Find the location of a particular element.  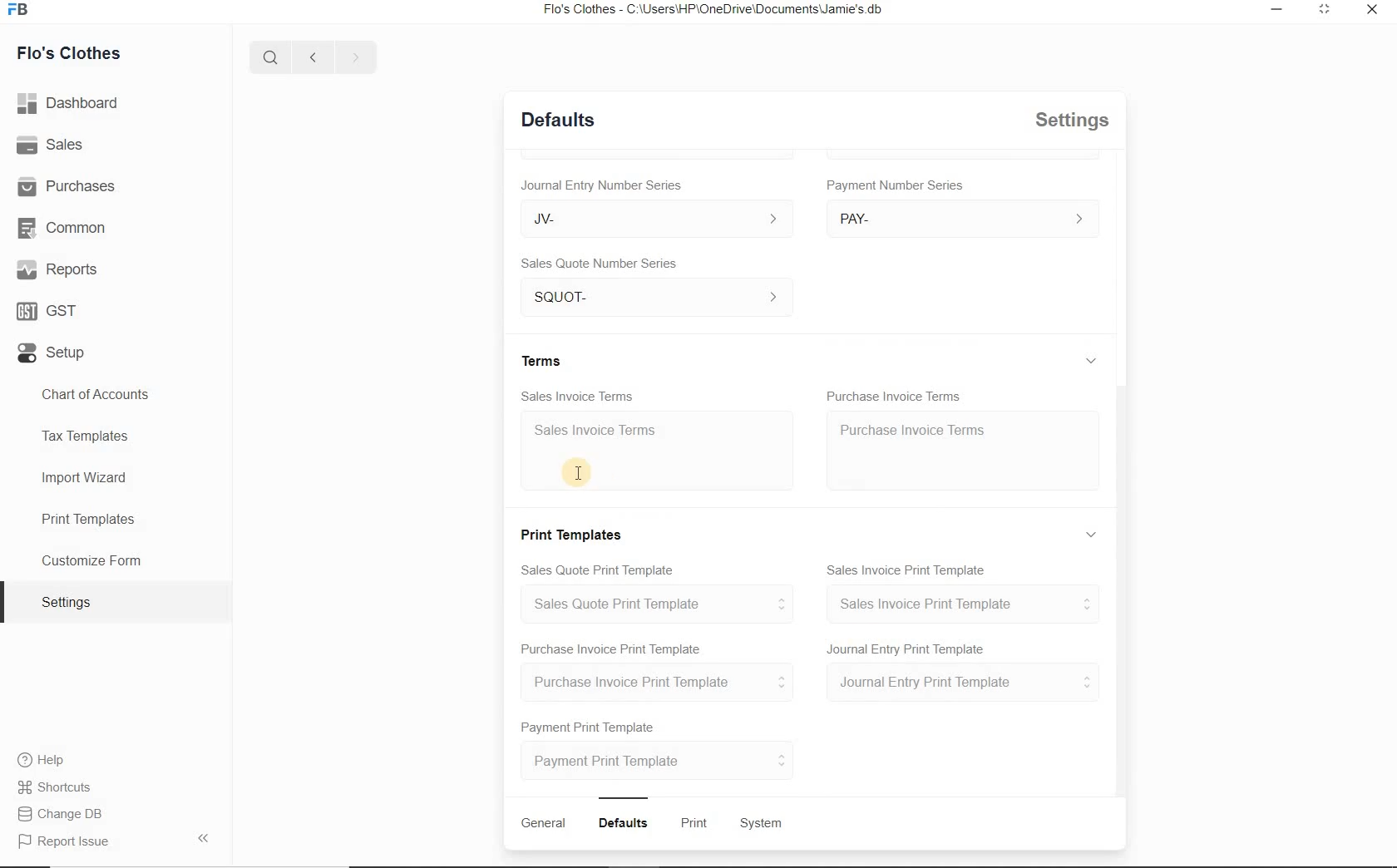

Print Templates is located at coordinates (569, 534).